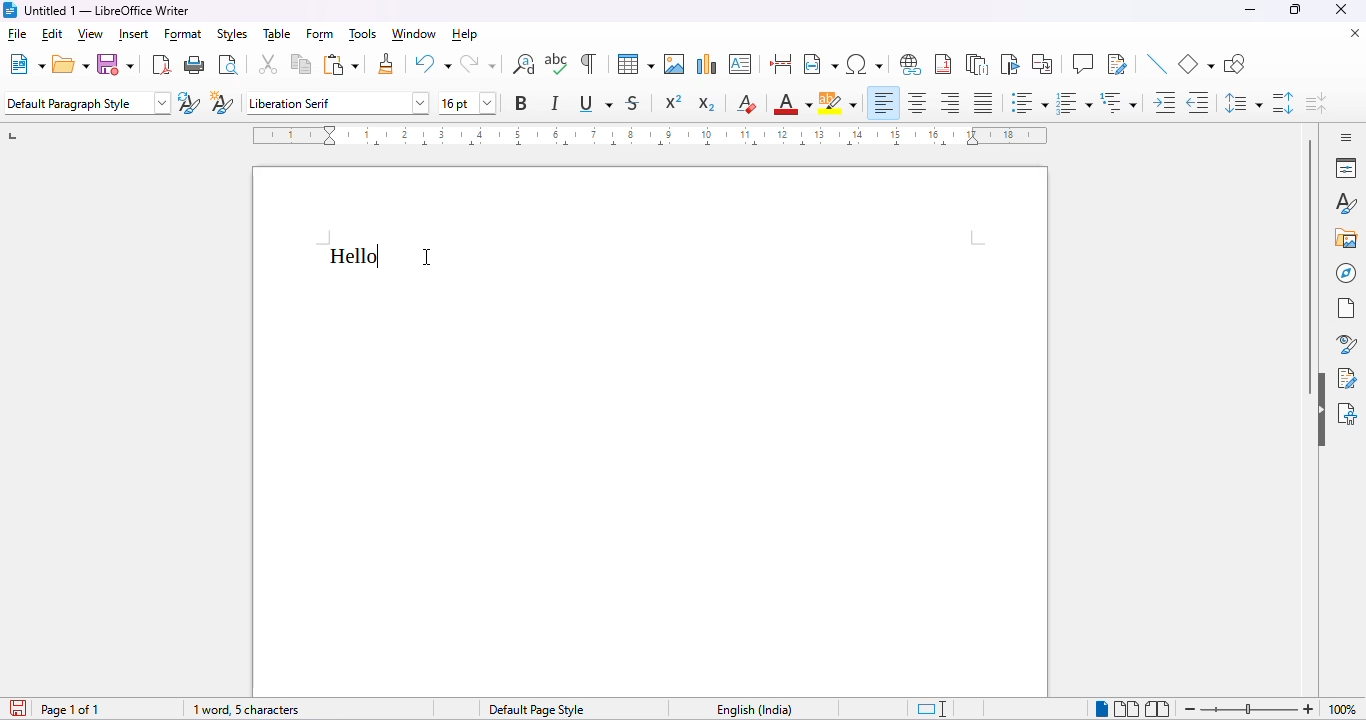 Image resolution: width=1366 pixels, height=720 pixels. I want to click on select outline format, so click(1119, 102).